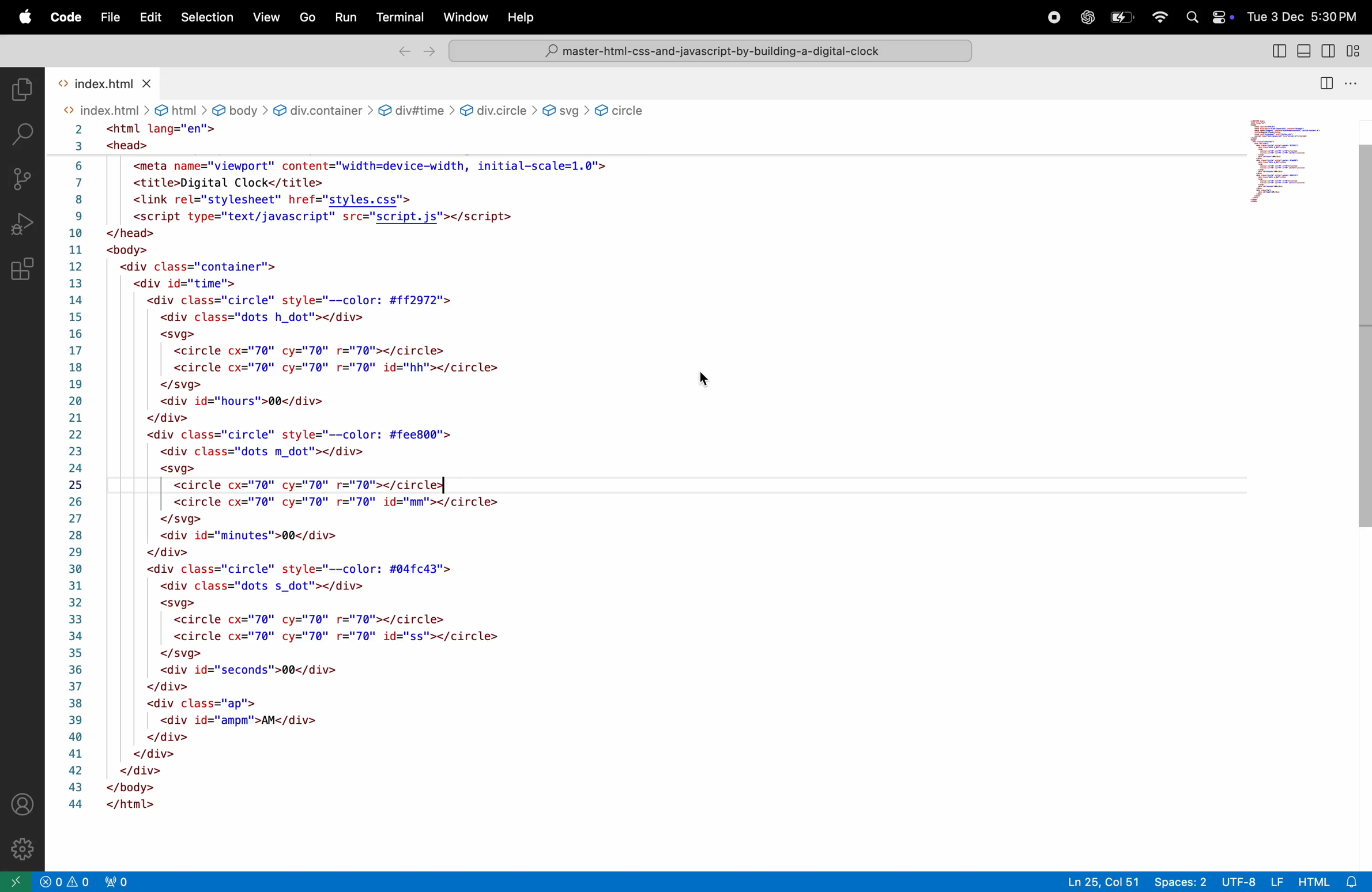 The height and width of the screenshot is (892, 1372). What do you see at coordinates (22, 132) in the screenshot?
I see `search` at bounding box center [22, 132].